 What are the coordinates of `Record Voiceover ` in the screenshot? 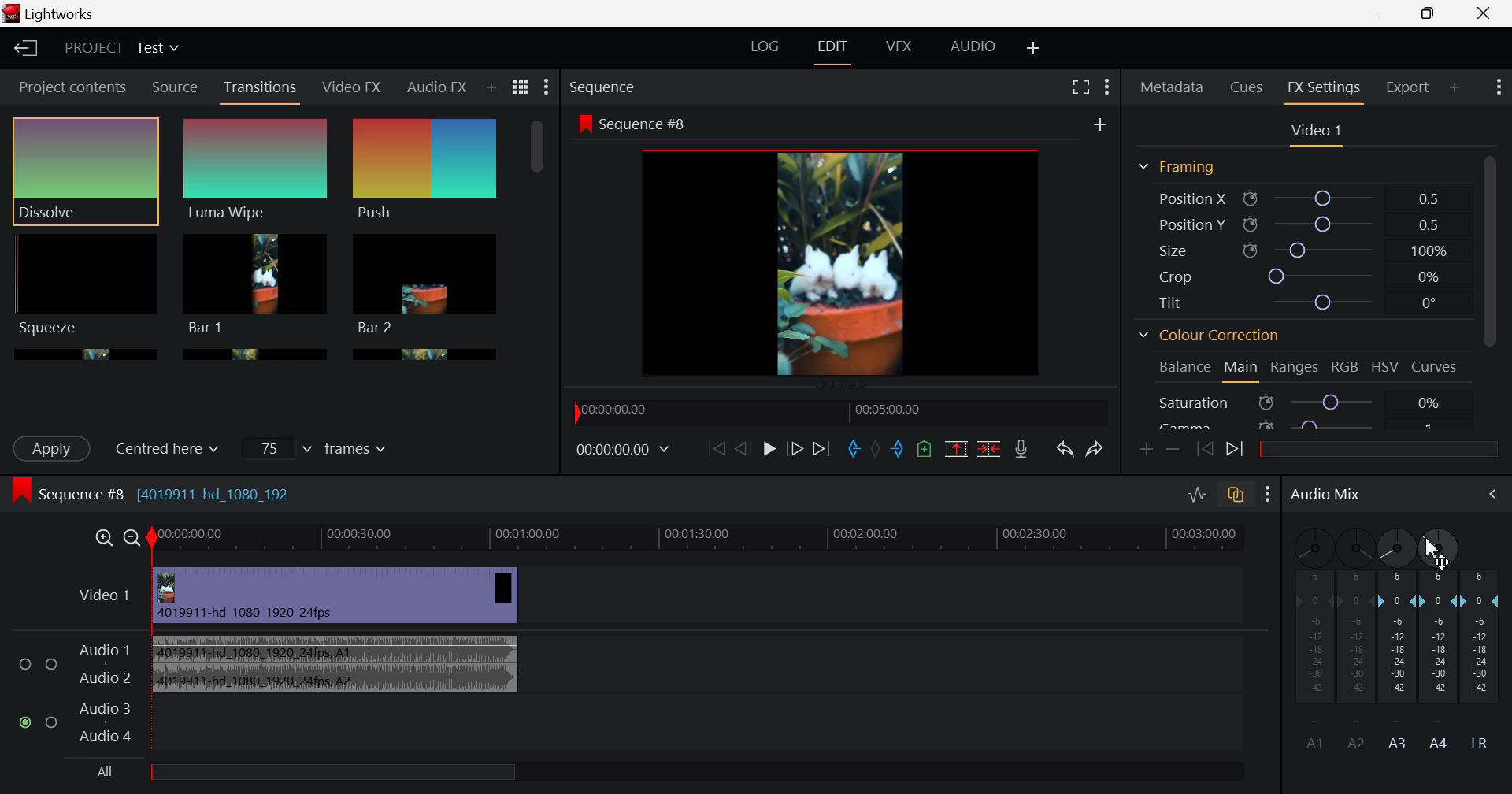 It's located at (1021, 448).